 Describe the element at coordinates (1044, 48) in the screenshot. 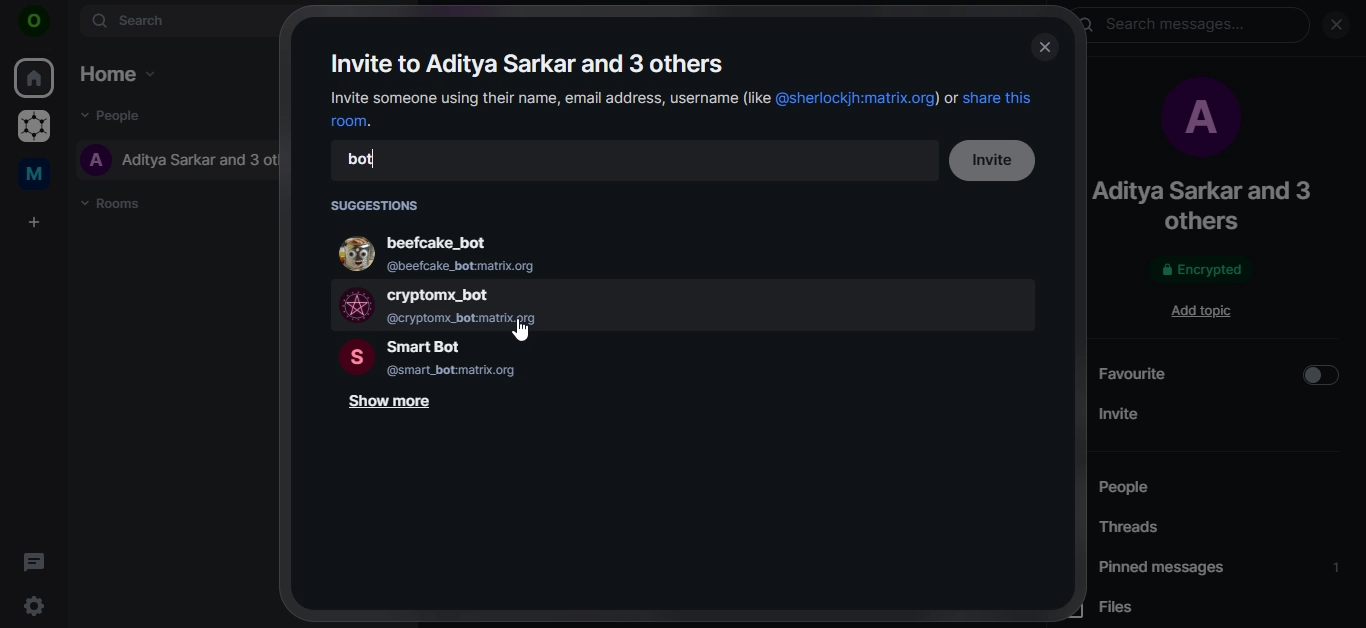

I see `close` at that location.